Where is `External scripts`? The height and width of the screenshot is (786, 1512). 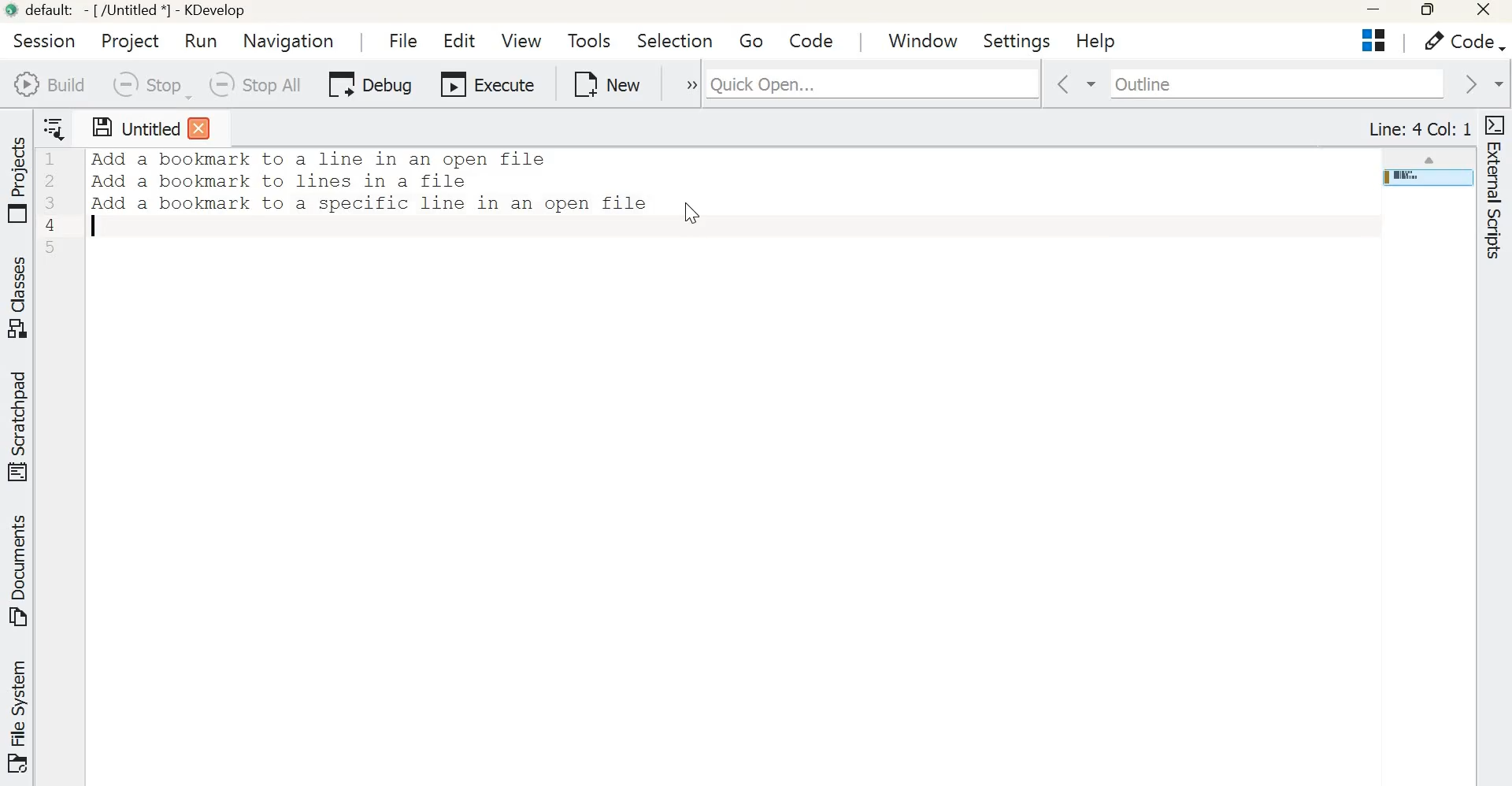
External scripts is located at coordinates (1497, 199).